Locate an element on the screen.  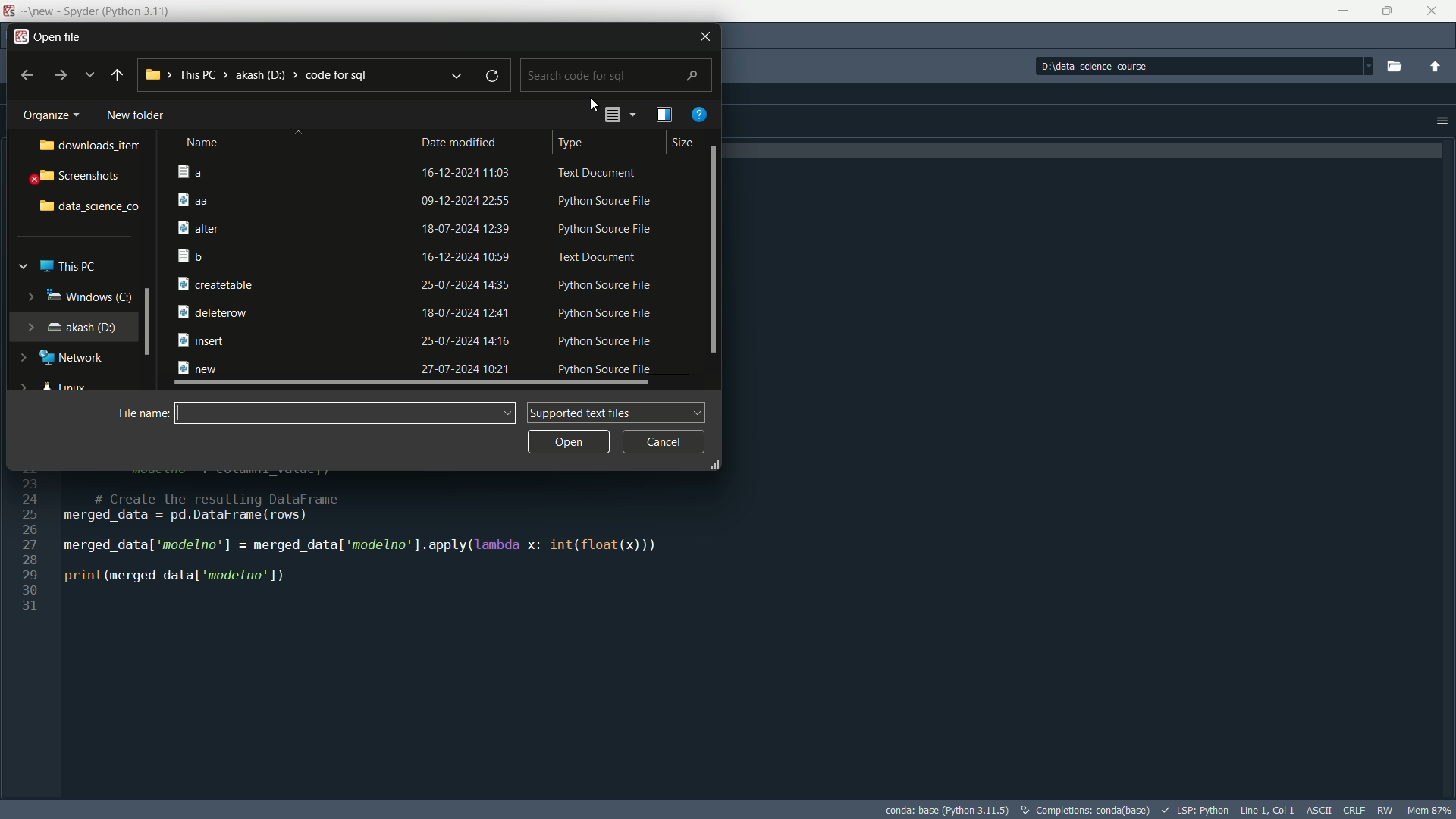
Scrollbar is located at coordinates (714, 250).